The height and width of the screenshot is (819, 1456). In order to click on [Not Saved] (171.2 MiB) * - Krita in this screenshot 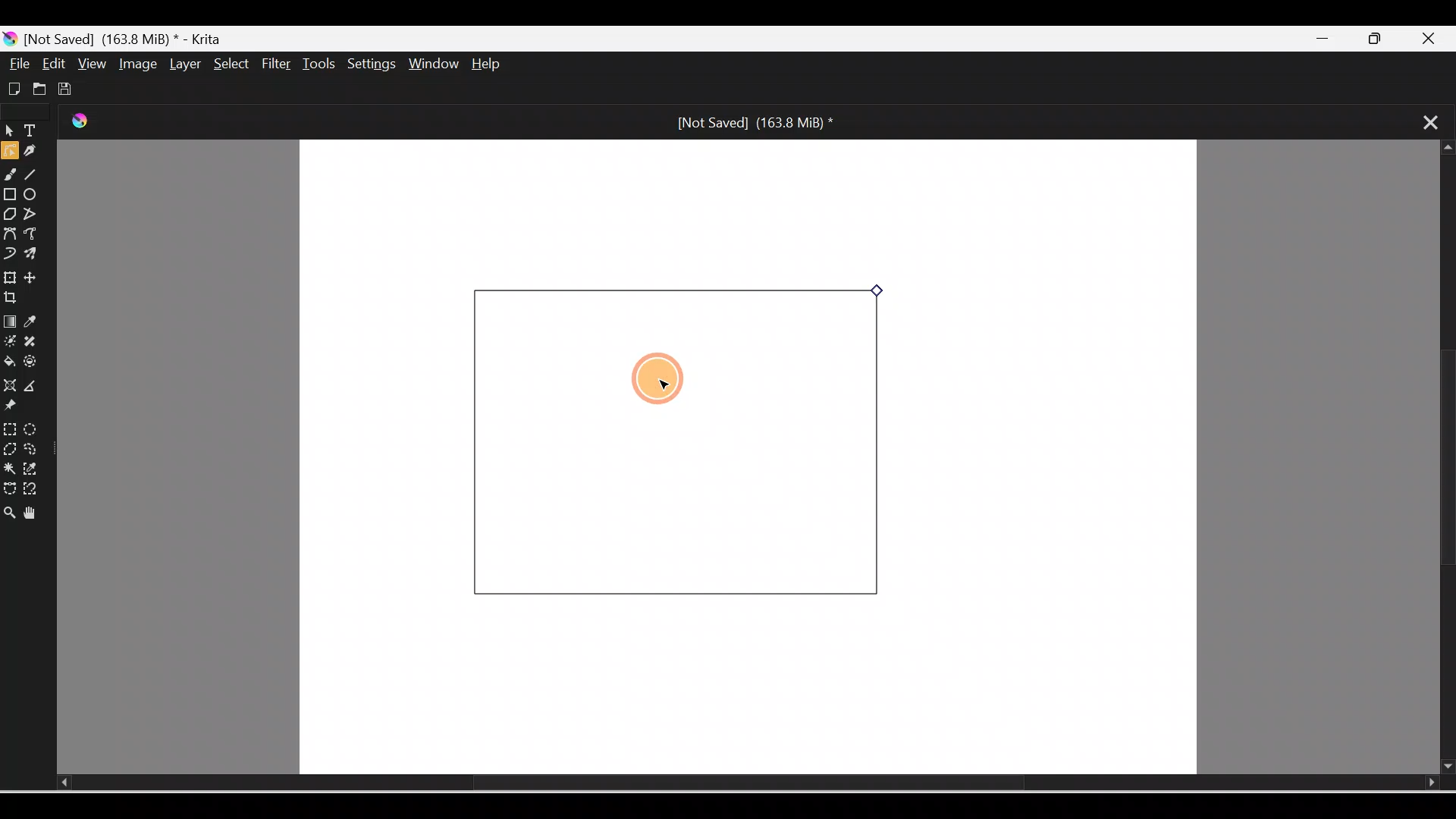, I will do `click(121, 37)`.